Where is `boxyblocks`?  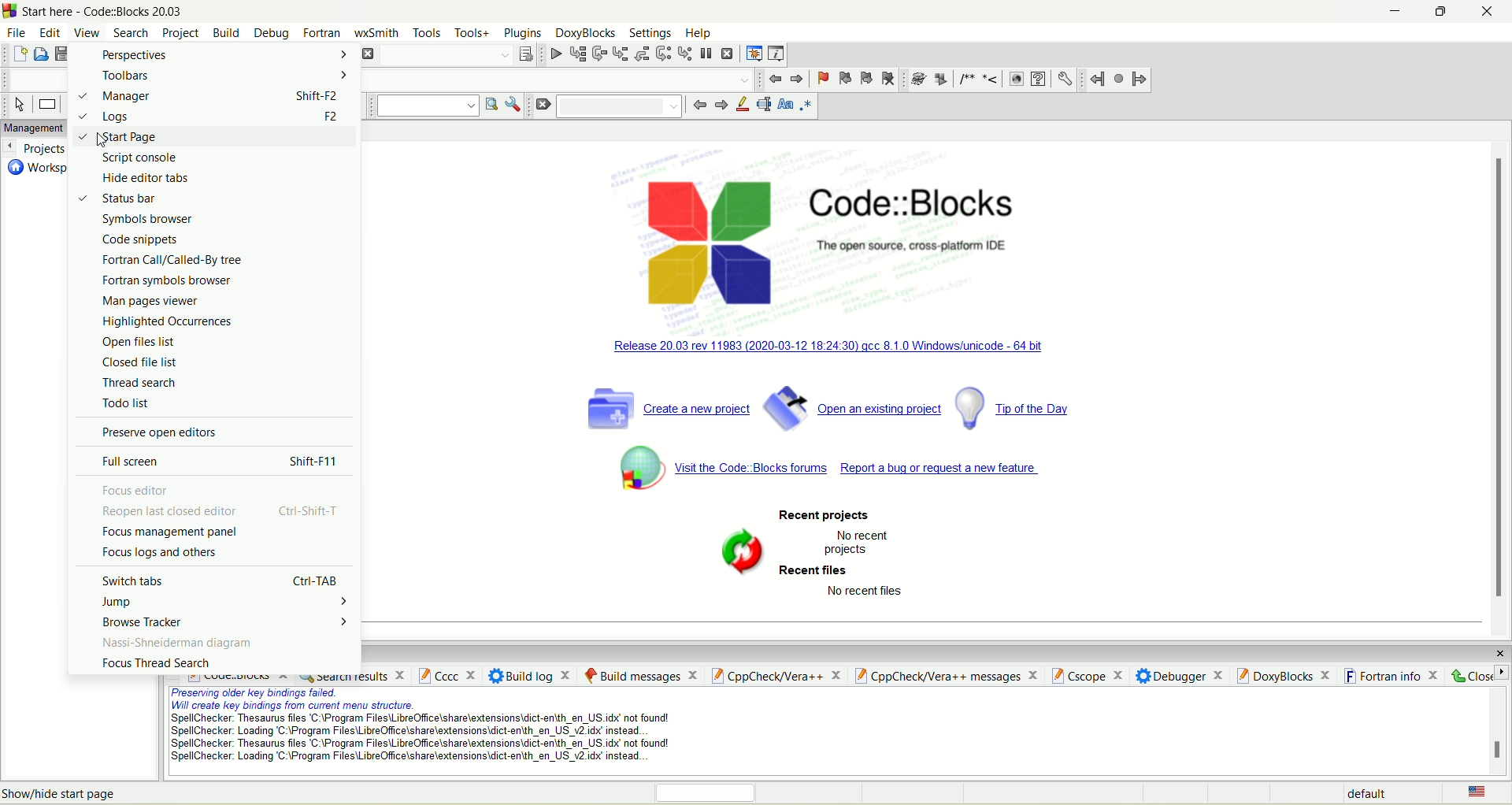 boxyblocks is located at coordinates (1287, 674).